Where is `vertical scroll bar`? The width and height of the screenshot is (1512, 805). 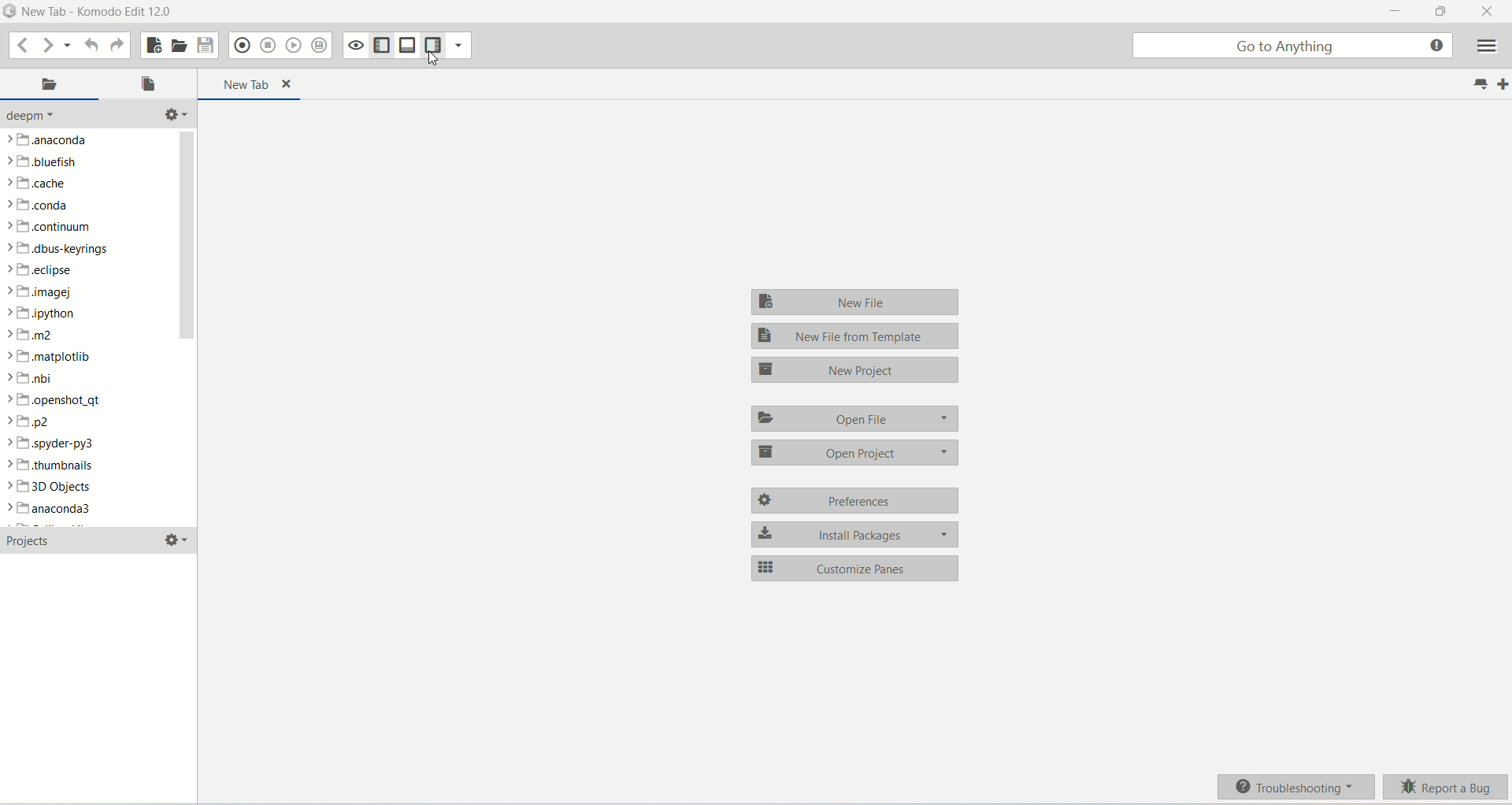 vertical scroll bar is located at coordinates (182, 326).